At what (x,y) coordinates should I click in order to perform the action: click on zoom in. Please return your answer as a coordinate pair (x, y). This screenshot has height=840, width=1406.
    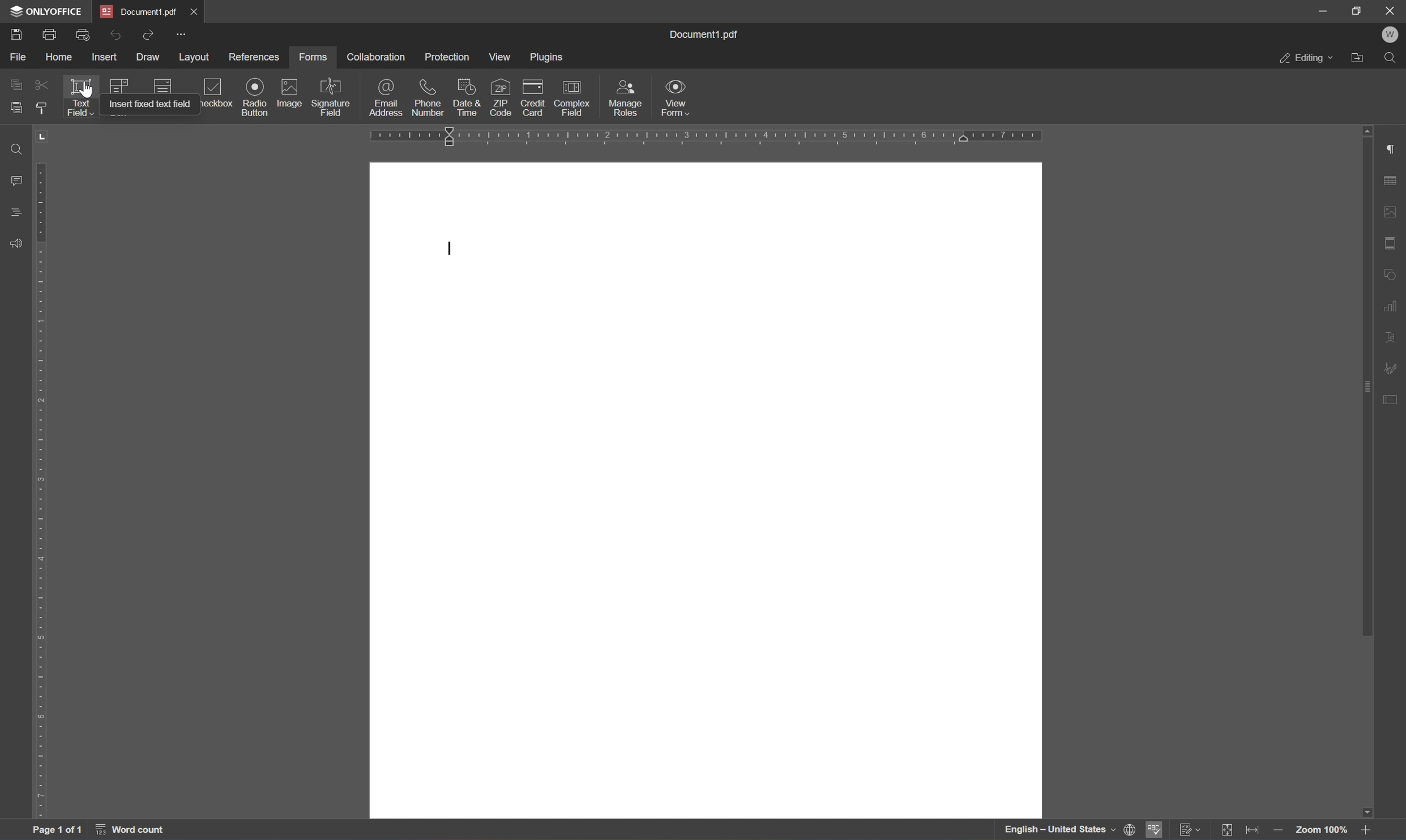
    Looking at the image, I should click on (1369, 831).